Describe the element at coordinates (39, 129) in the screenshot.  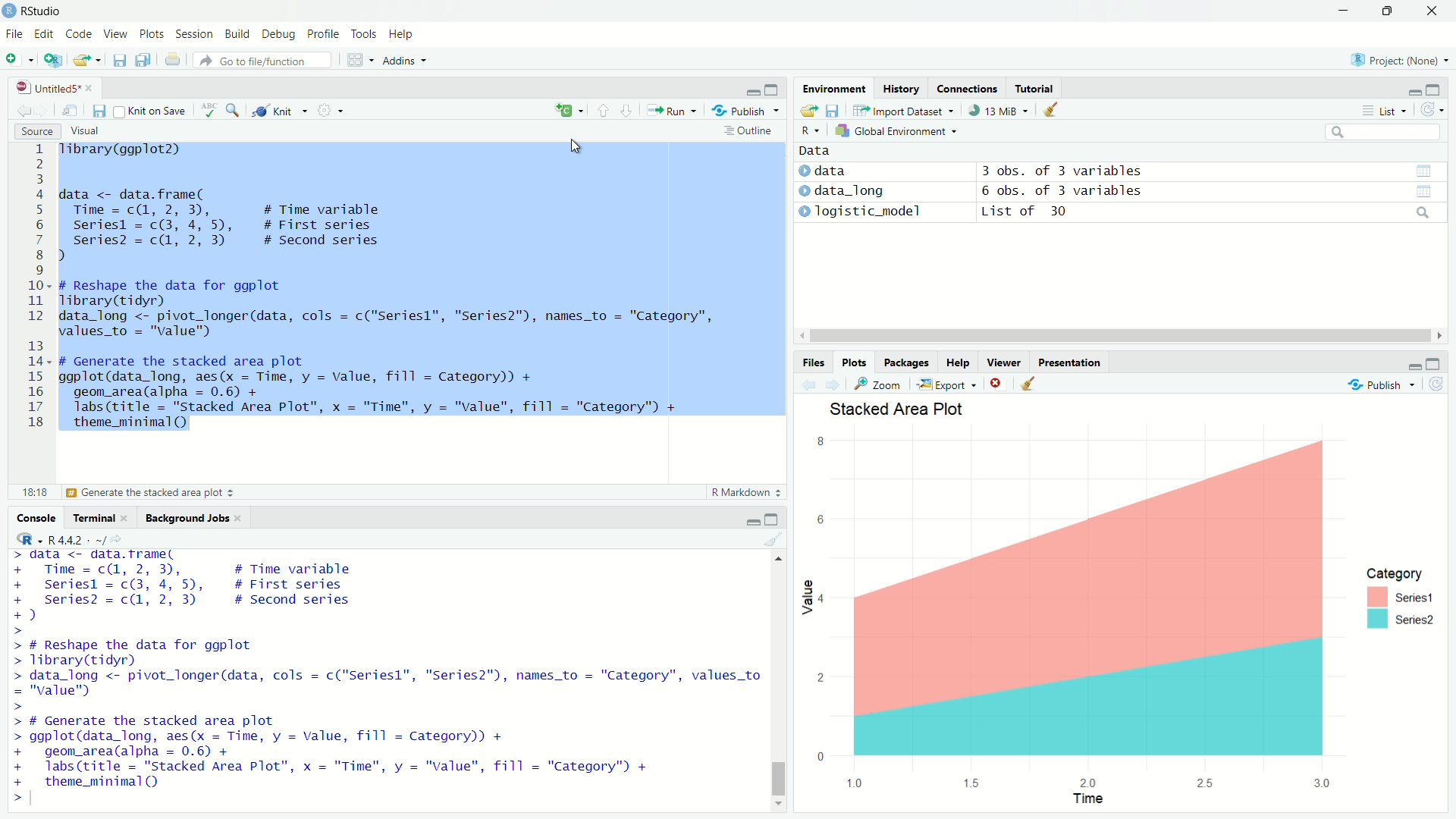
I see `Source` at that location.